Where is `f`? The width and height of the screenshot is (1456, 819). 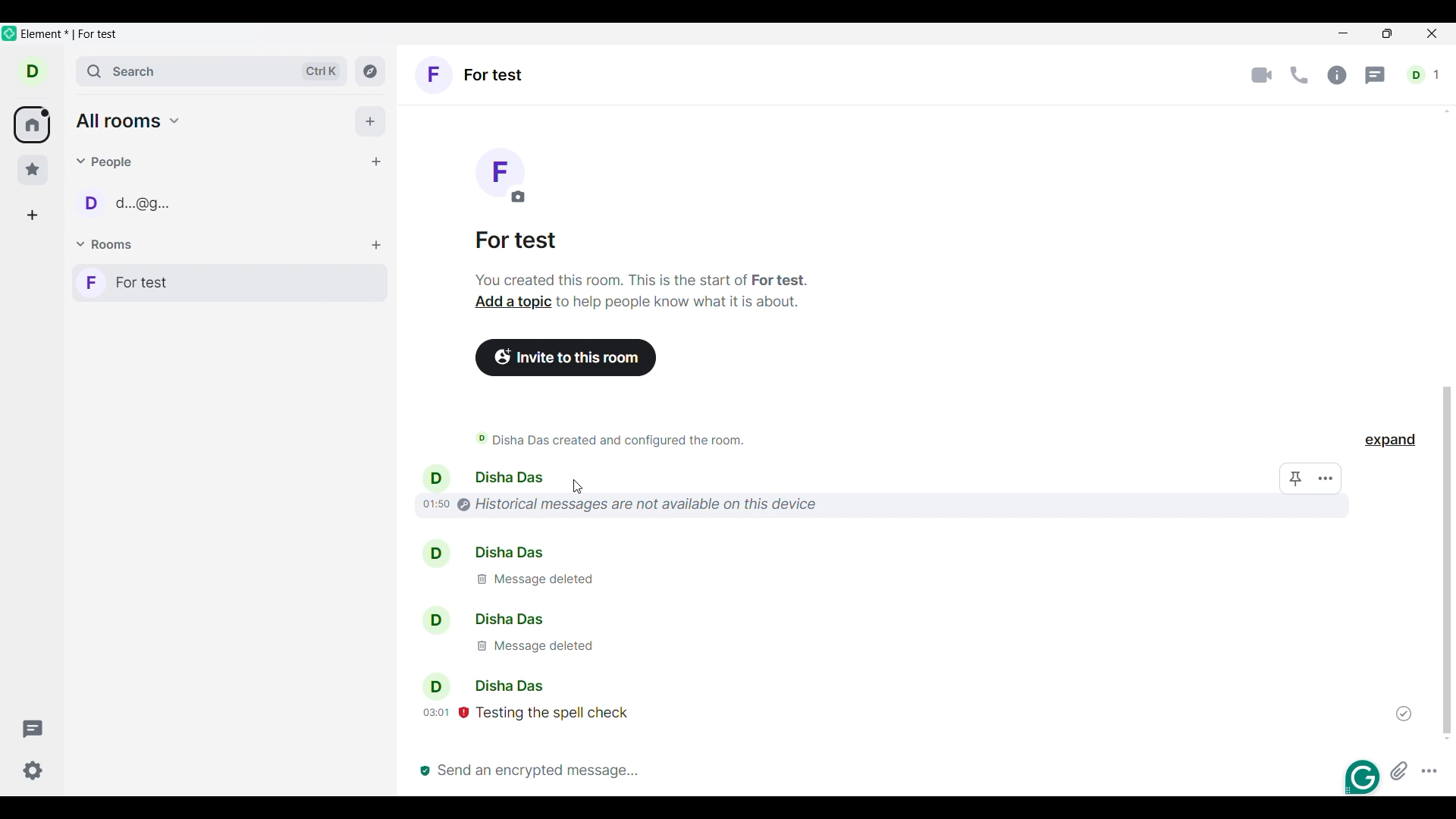 f is located at coordinates (503, 174).